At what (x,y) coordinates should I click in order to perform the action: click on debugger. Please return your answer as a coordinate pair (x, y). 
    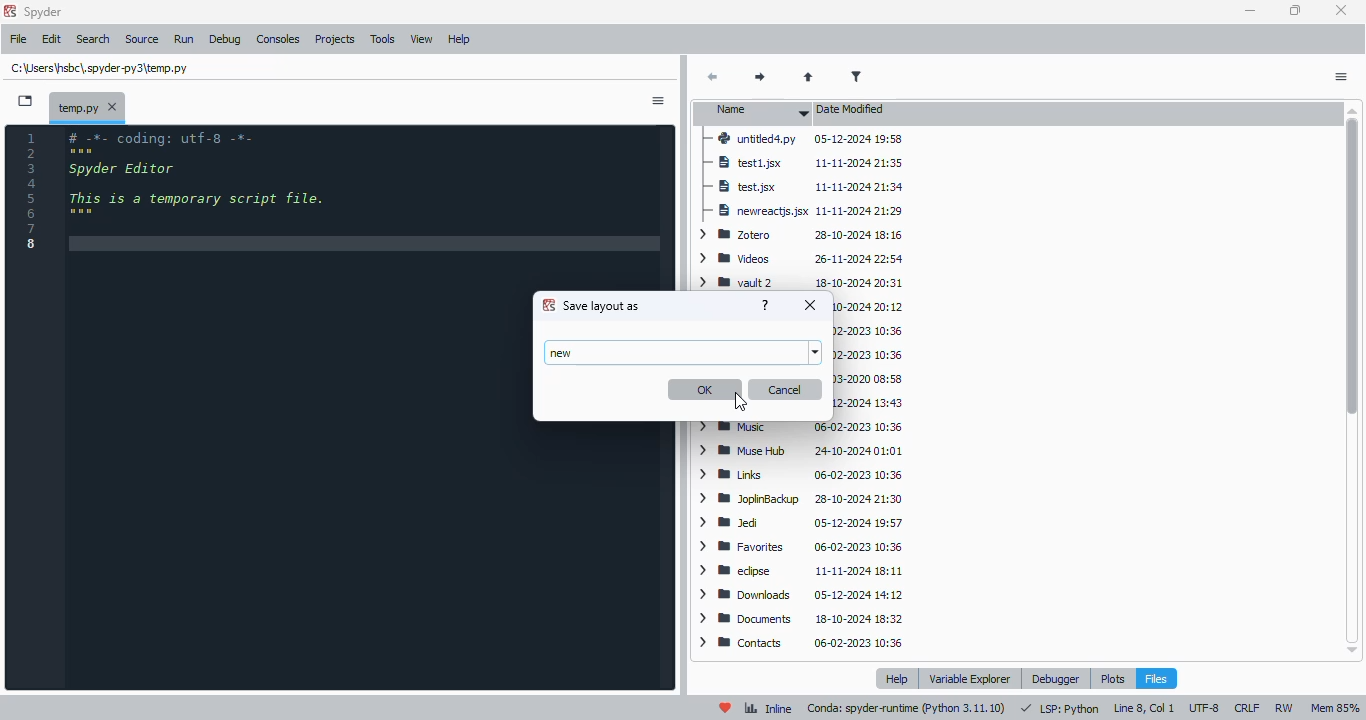
    Looking at the image, I should click on (1056, 679).